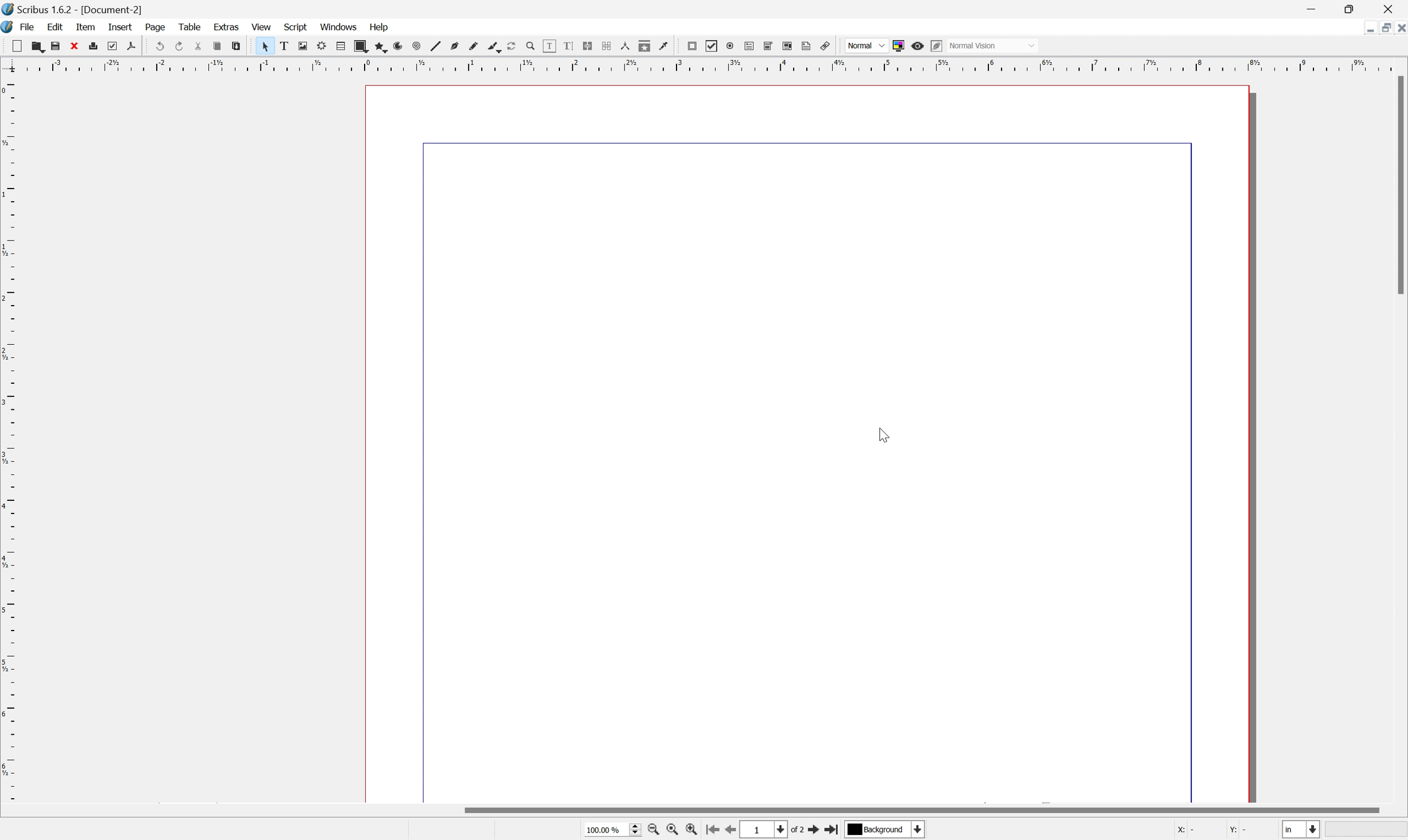 The width and height of the screenshot is (1408, 840). Describe the element at coordinates (9, 28) in the screenshot. I see `Scribus icon` at that location.